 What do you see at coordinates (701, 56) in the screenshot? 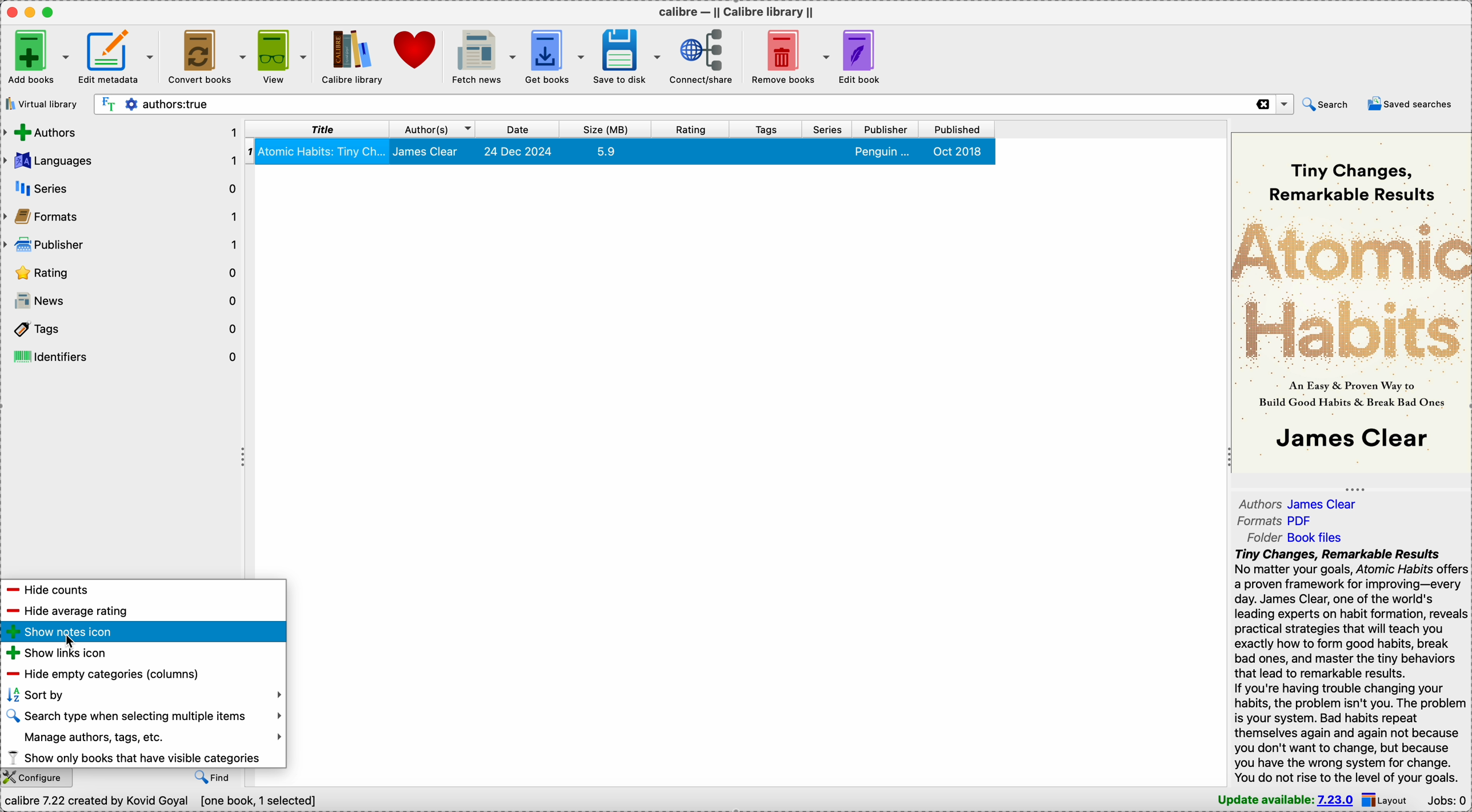
I see `connect/share` at bounding box center [701, 56].